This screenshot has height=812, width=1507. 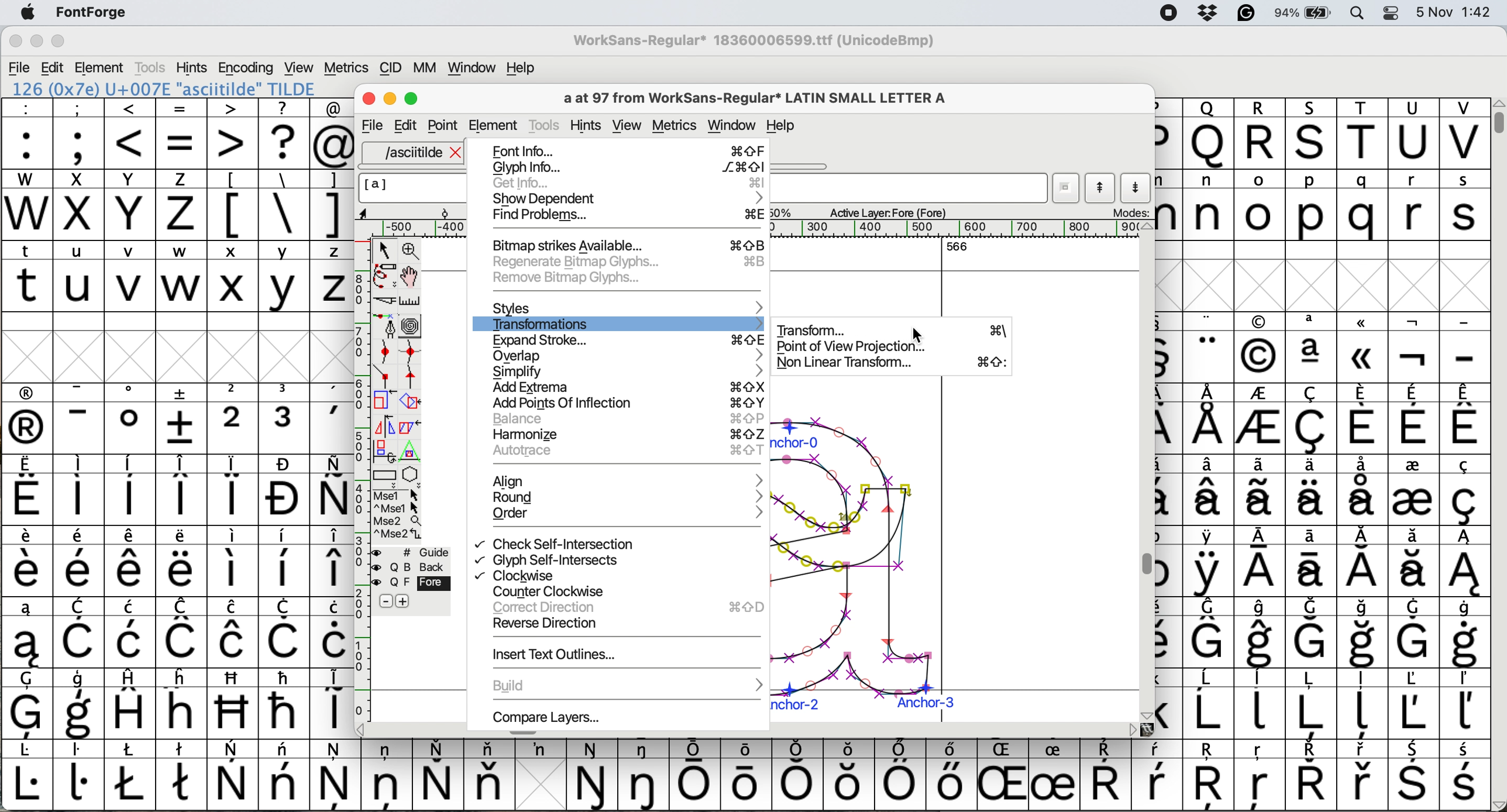 What do you see at coordinates (80, 276) in the screenshot?
I see `u` at bounding box center [80, 276].